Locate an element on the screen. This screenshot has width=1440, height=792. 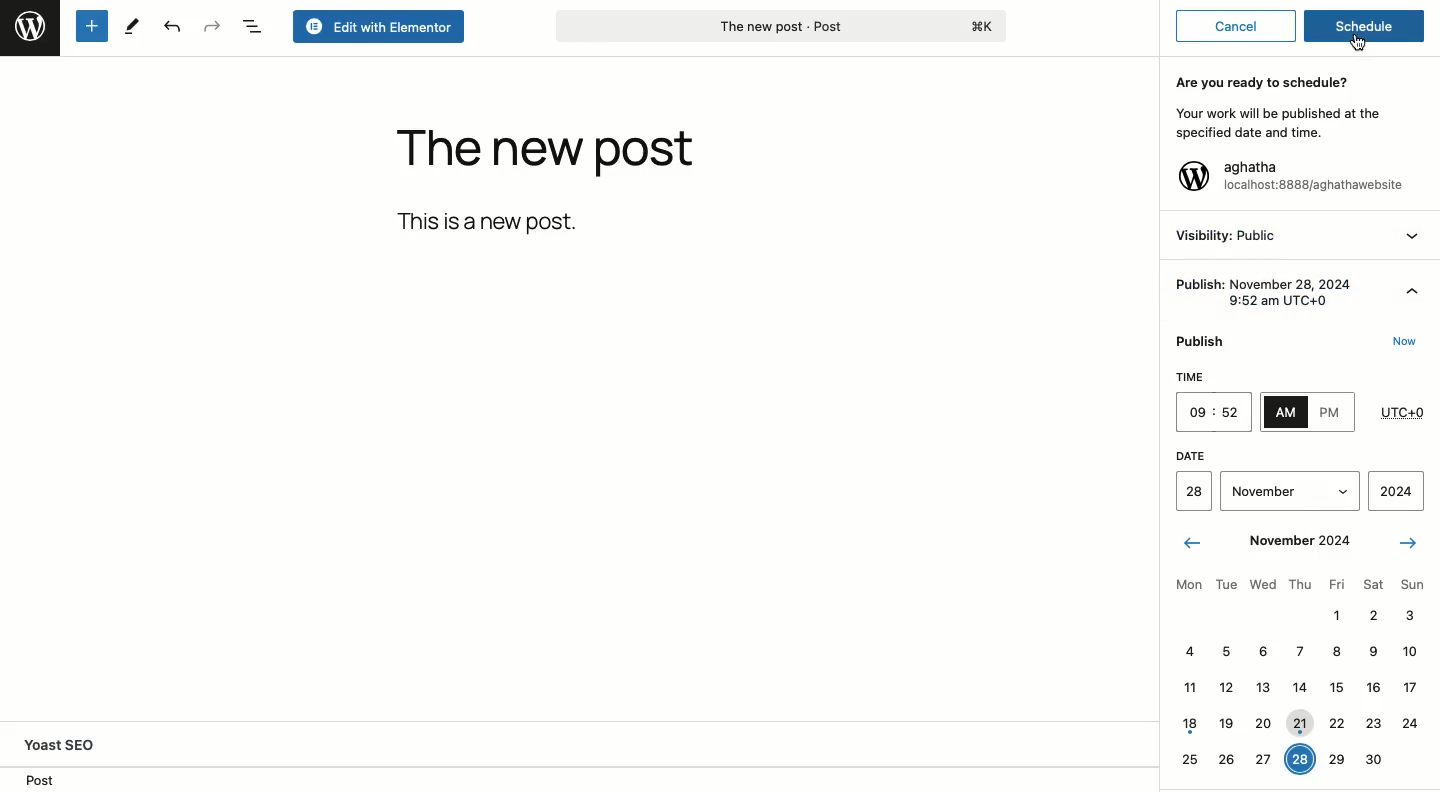
Visibility: Public is located at coordinates (1229, 235).